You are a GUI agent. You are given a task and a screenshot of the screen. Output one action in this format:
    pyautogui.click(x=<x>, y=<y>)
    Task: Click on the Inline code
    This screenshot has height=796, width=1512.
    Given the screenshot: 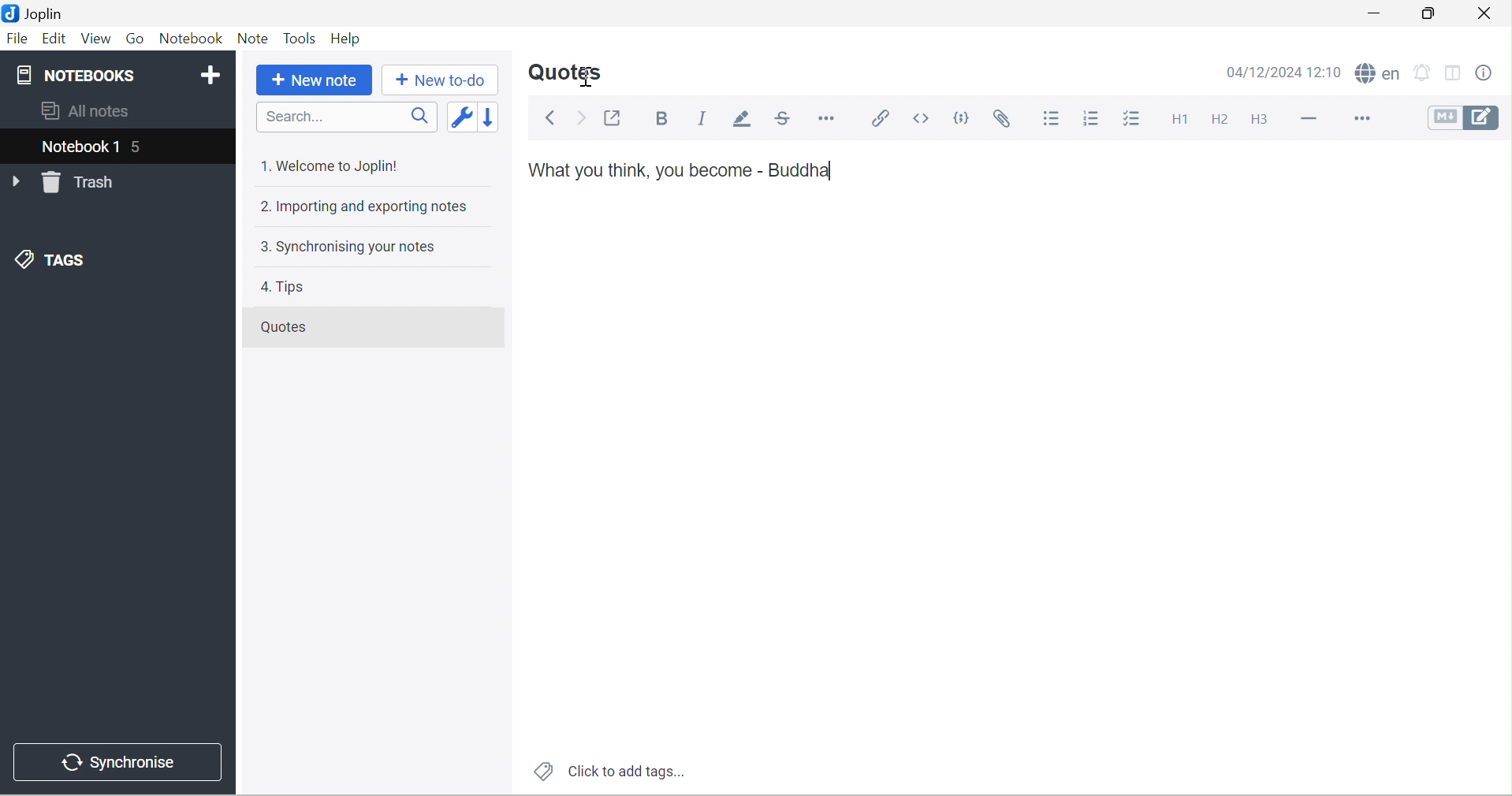 What is the action you would take?
    pyautogui.click(x=925, y=118)
    